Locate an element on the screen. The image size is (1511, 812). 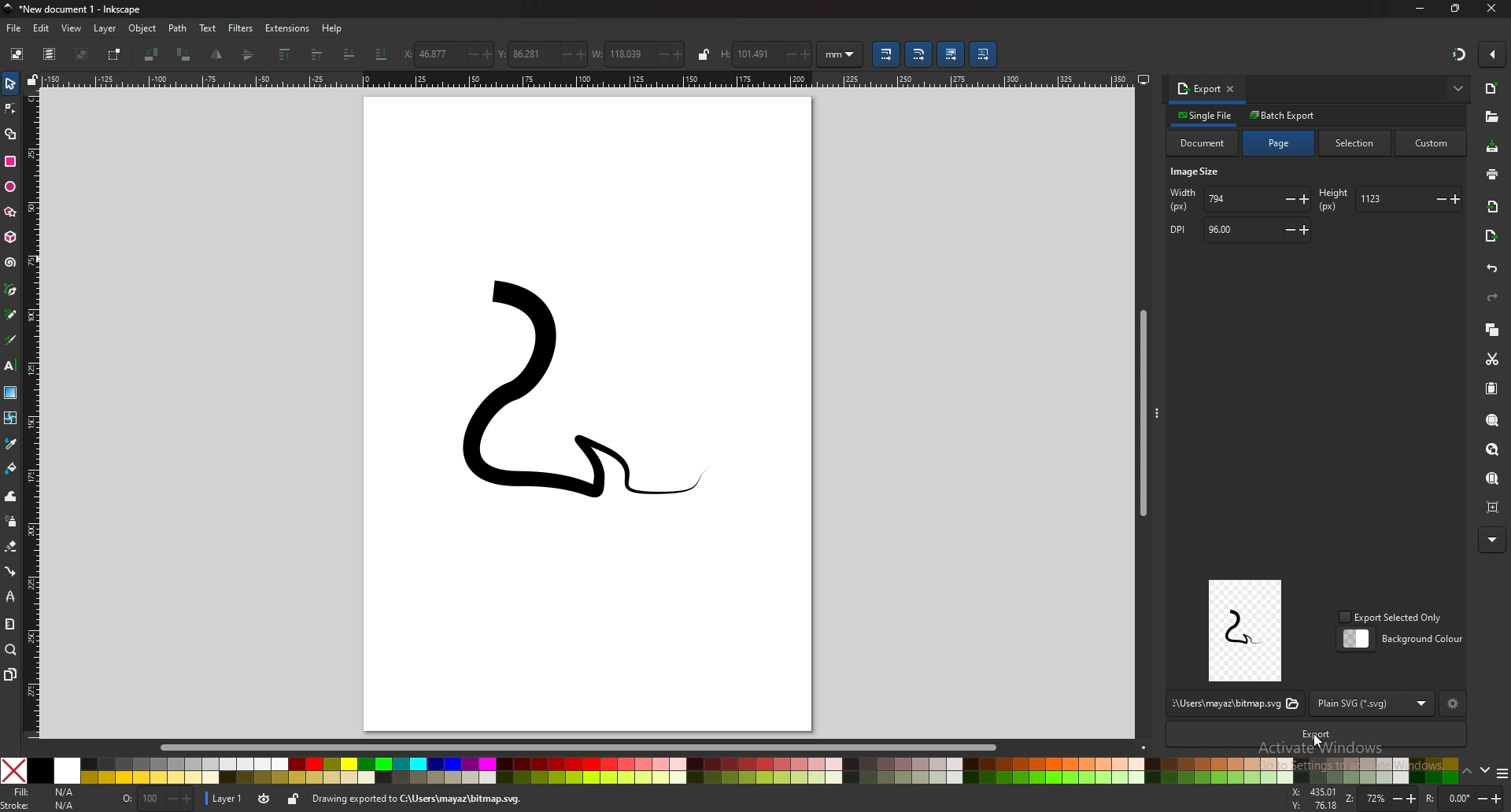
zoom drawing is located at coordinates (1495, 450).